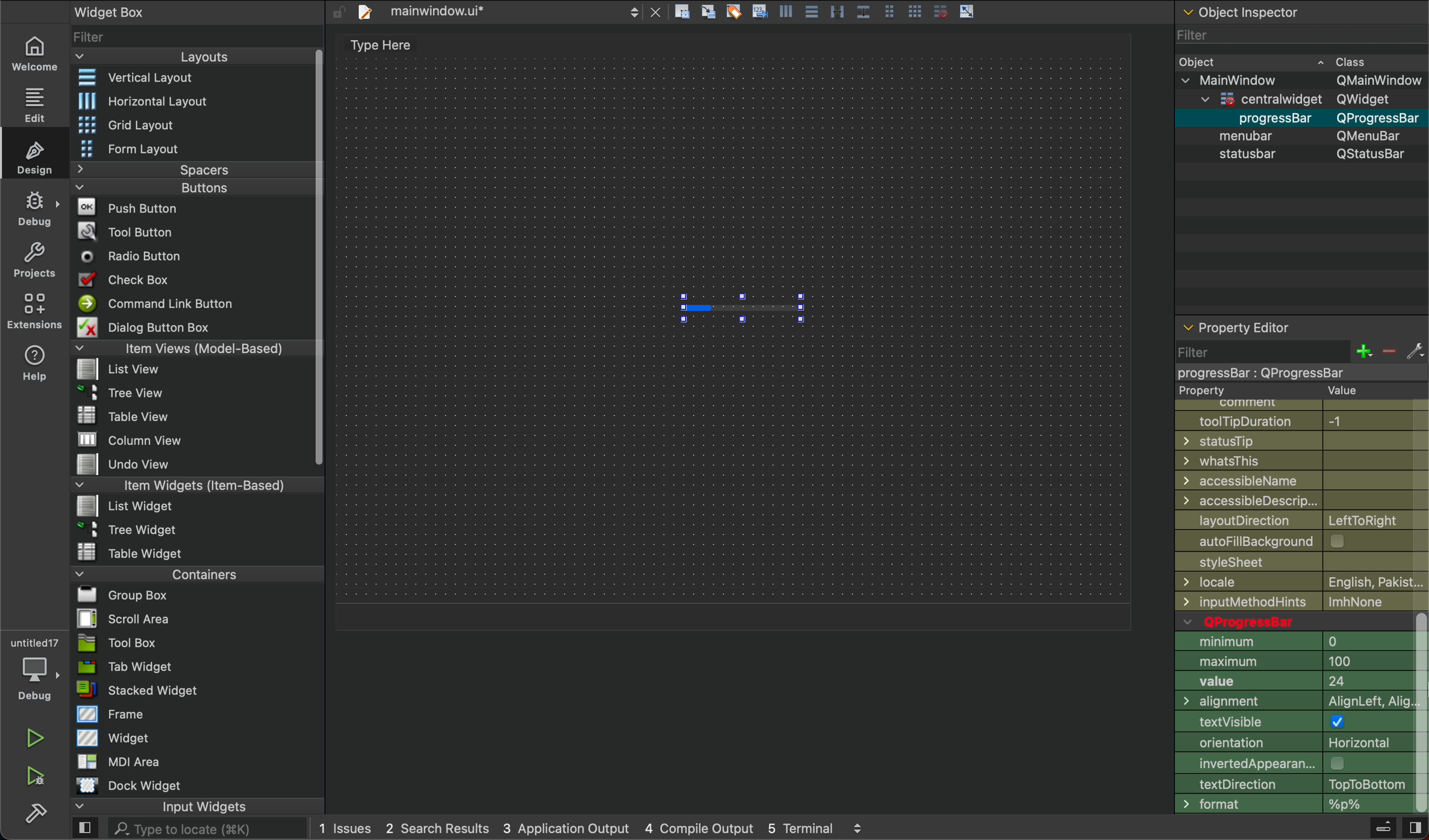 This screenshot has width=1429, height=840. What do you see at coordinates (159, 807) in the screenshot?
I see `Input Widget` at bounding box center [159, 807].